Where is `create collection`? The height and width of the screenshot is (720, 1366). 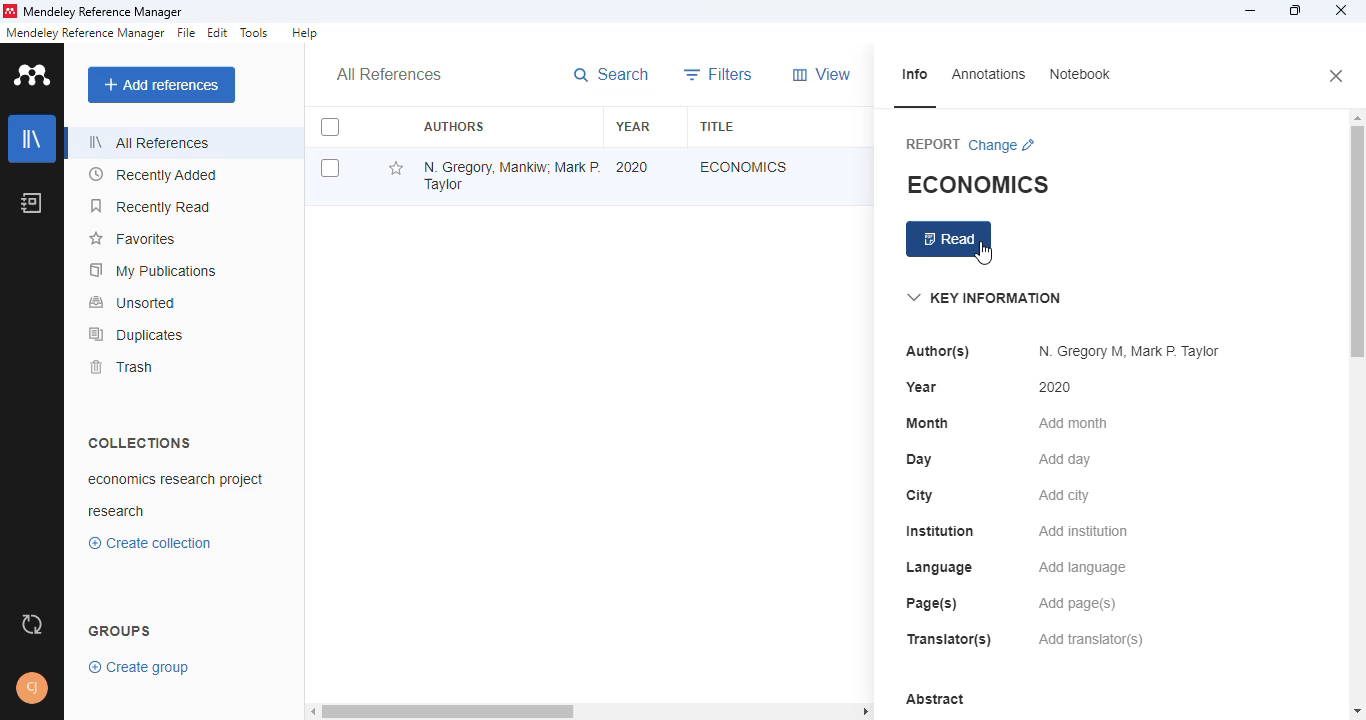 create collection is located at coordinates (150, 543).